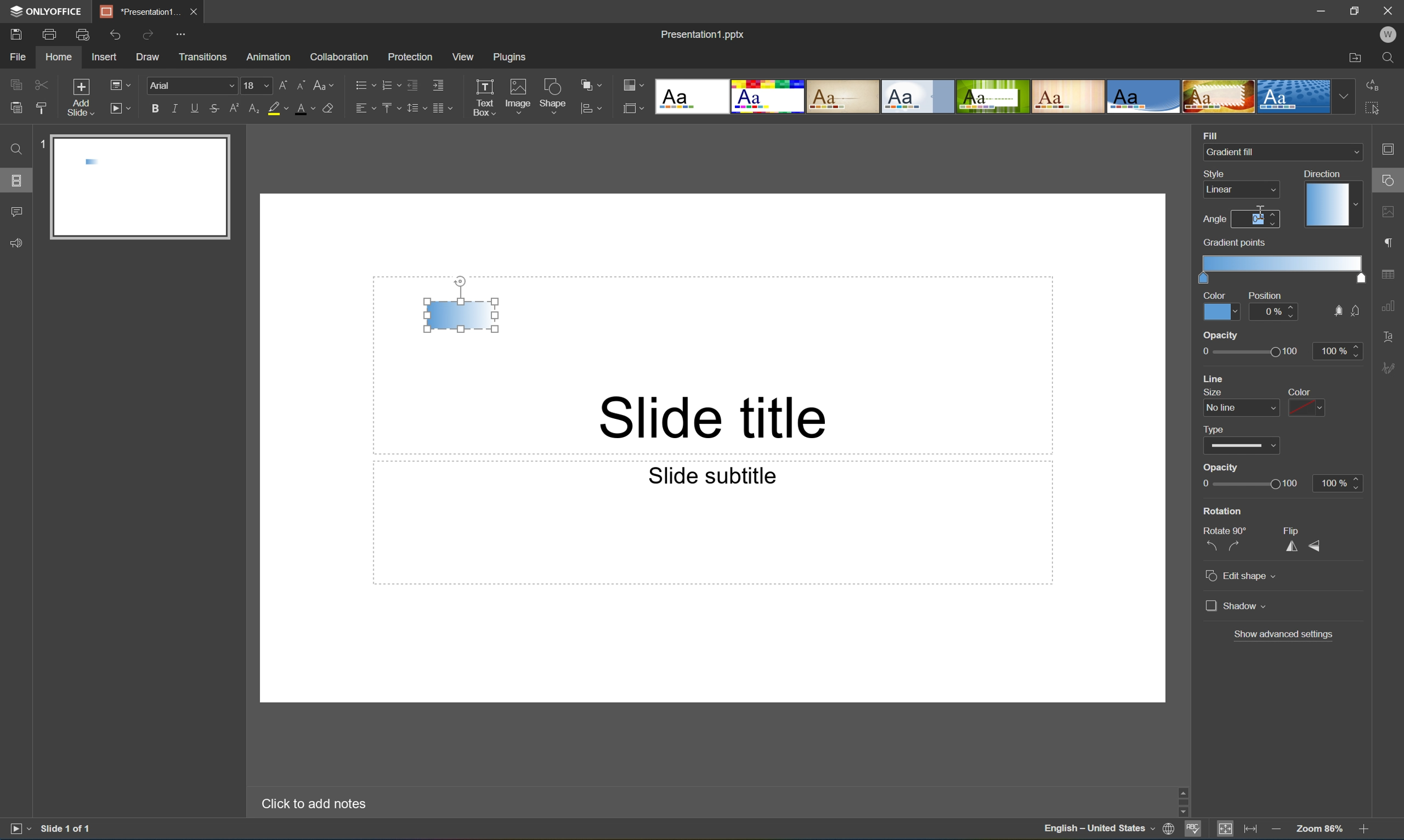 The width and height of the screenshot is (1404, 840). I want to click on opacity slider, so click(1244, 352).